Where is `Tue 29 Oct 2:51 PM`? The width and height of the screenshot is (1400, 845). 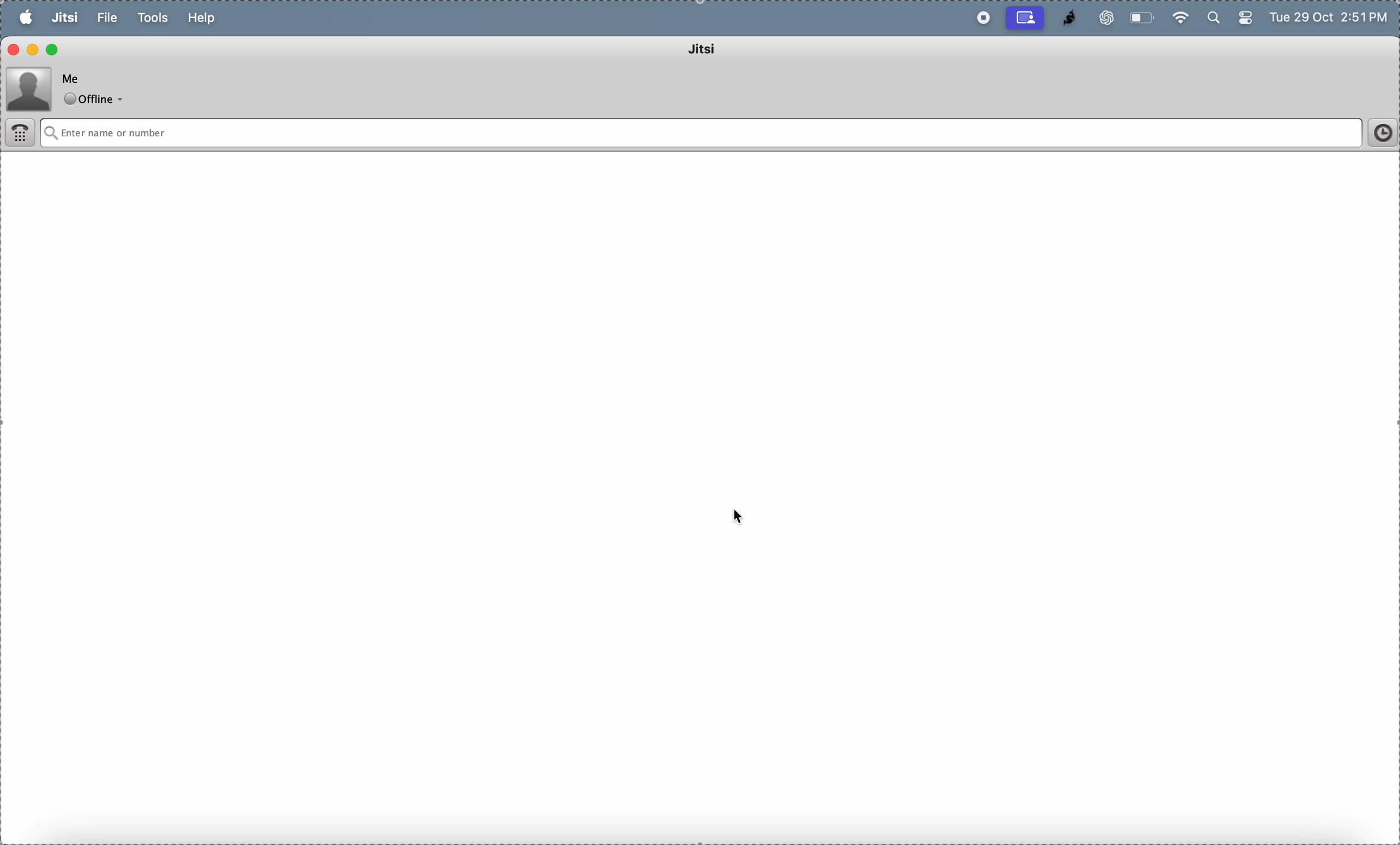
Tue 29 Oct 2:51 PM is located at coordinates (1331, 19).